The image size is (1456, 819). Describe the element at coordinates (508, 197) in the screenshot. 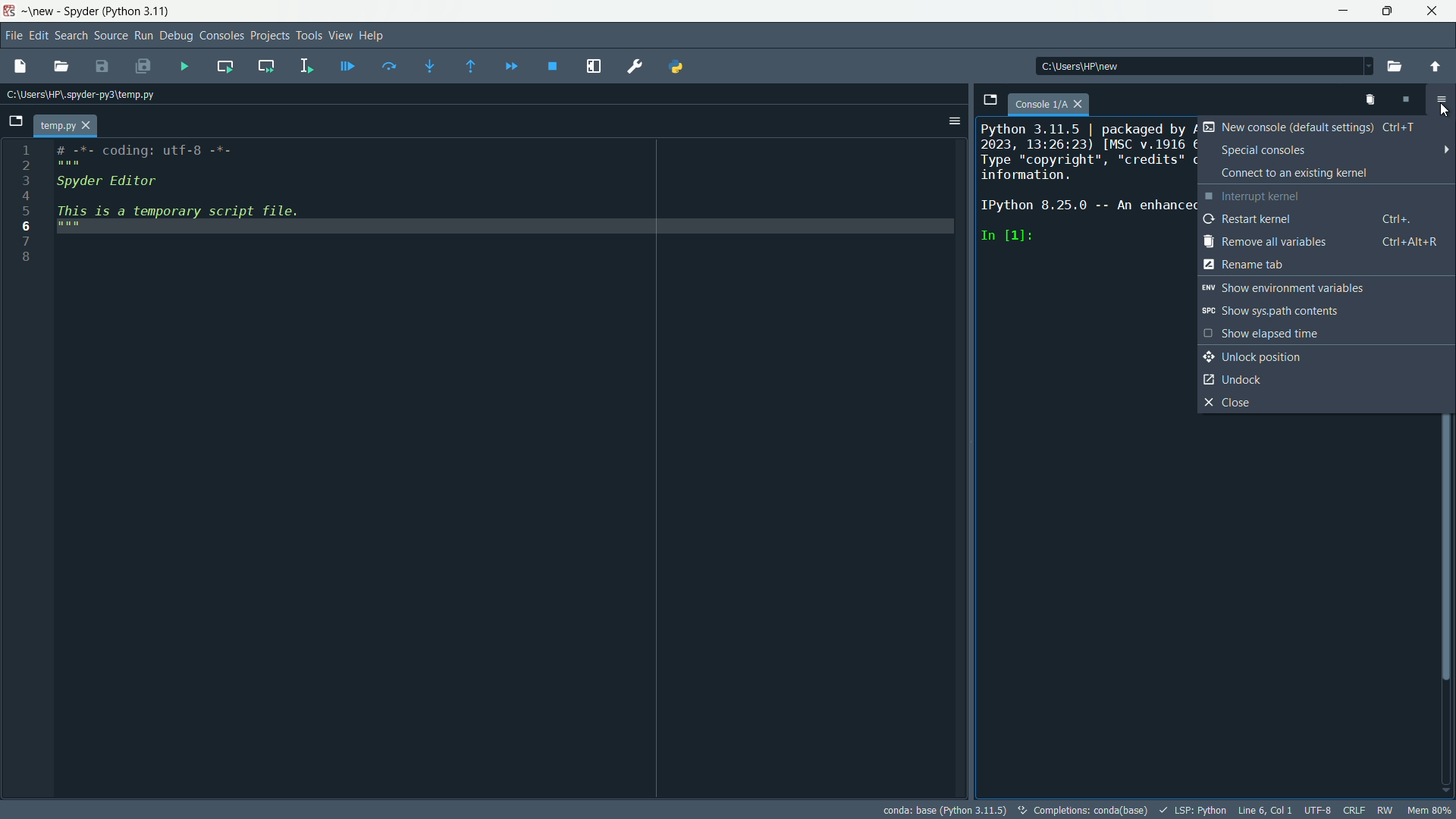

I see `# -*- coding: utf-8 -*- """ Spyder Editor  This is a temporary script file. """` at that location.